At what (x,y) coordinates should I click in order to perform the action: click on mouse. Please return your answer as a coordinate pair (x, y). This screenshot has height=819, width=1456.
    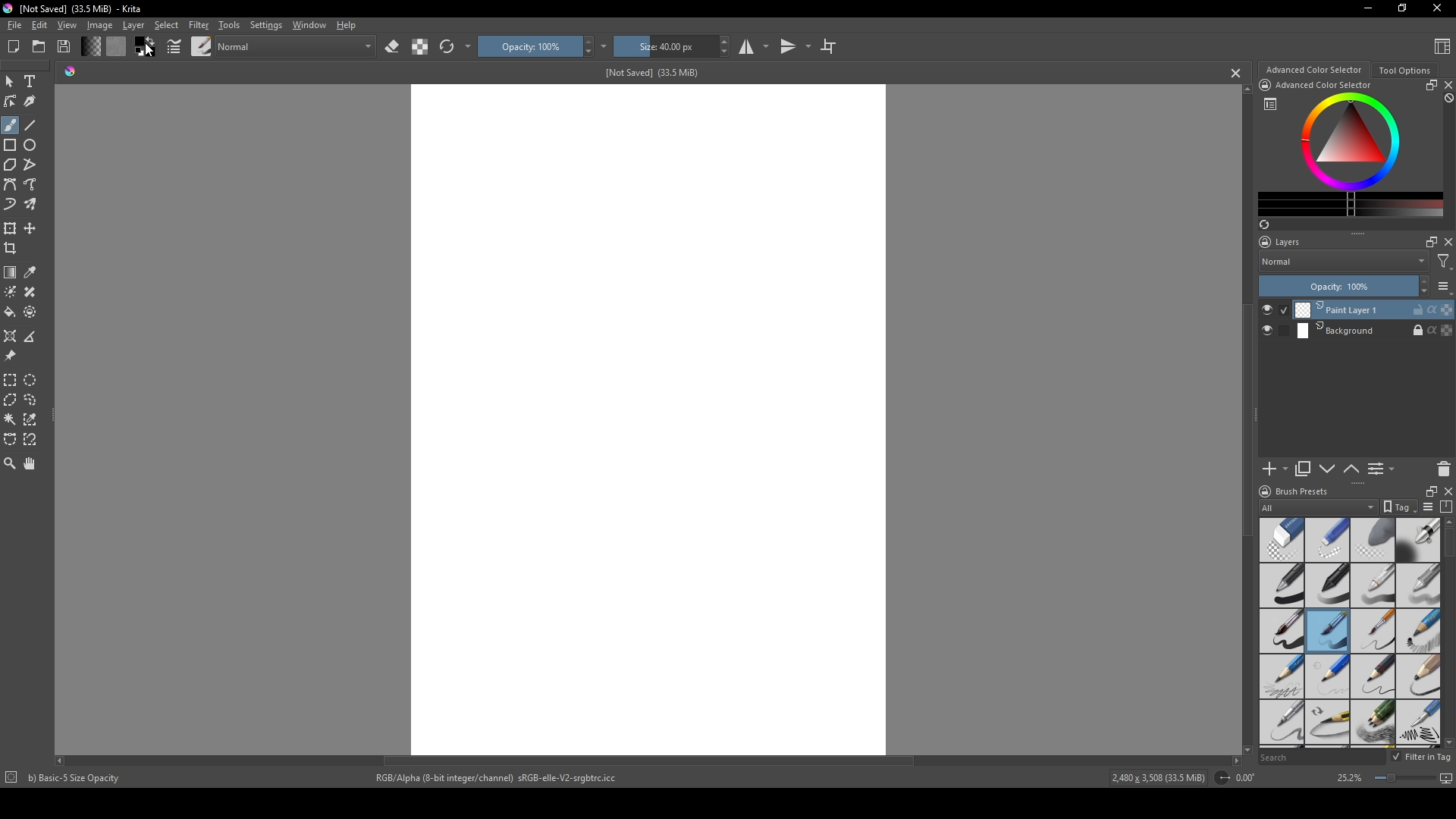
    Looking at the image, I should click on (9, 82).